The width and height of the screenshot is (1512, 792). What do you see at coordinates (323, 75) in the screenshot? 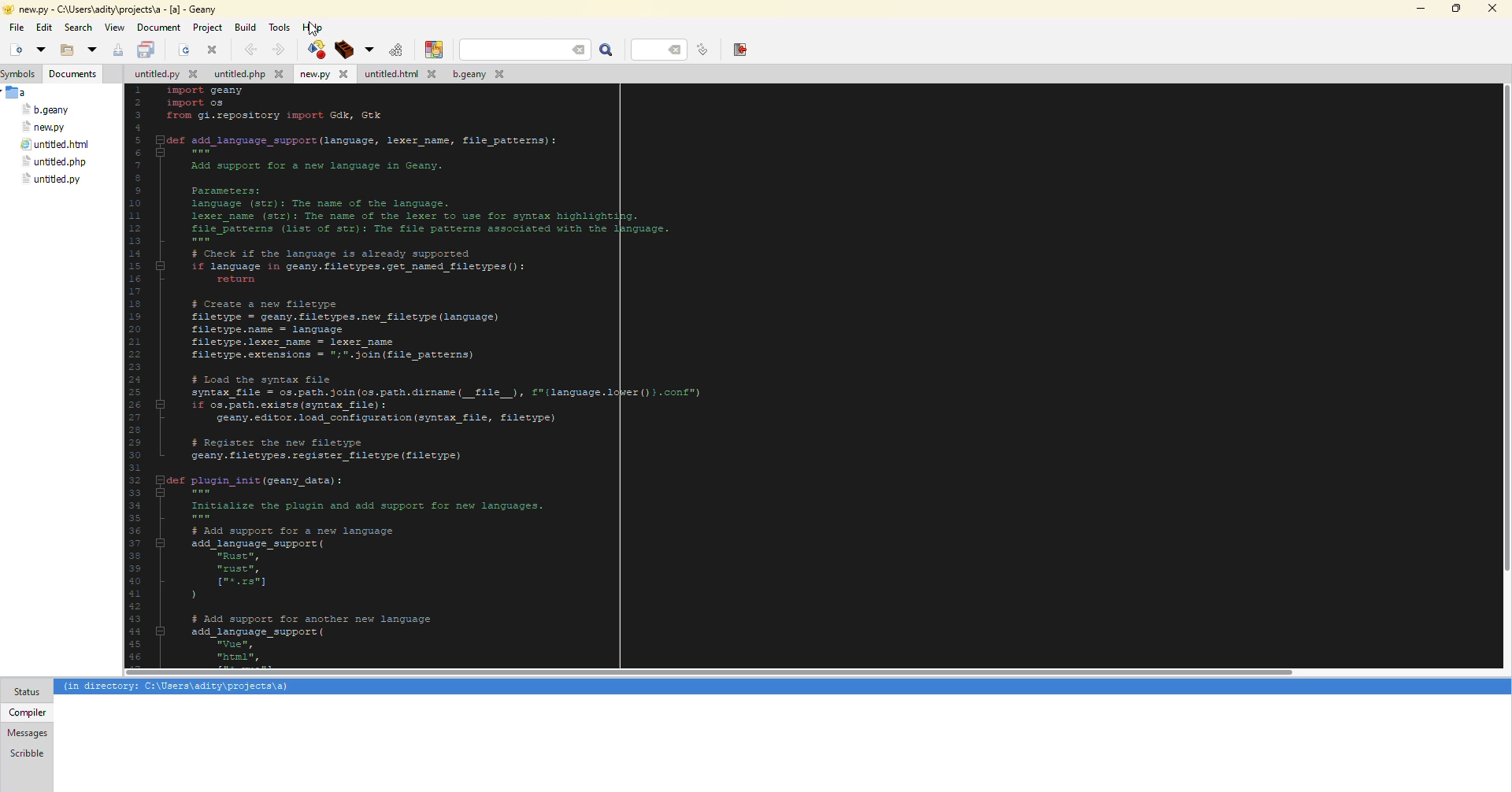
I see `file` at bounding box center [323, 75].